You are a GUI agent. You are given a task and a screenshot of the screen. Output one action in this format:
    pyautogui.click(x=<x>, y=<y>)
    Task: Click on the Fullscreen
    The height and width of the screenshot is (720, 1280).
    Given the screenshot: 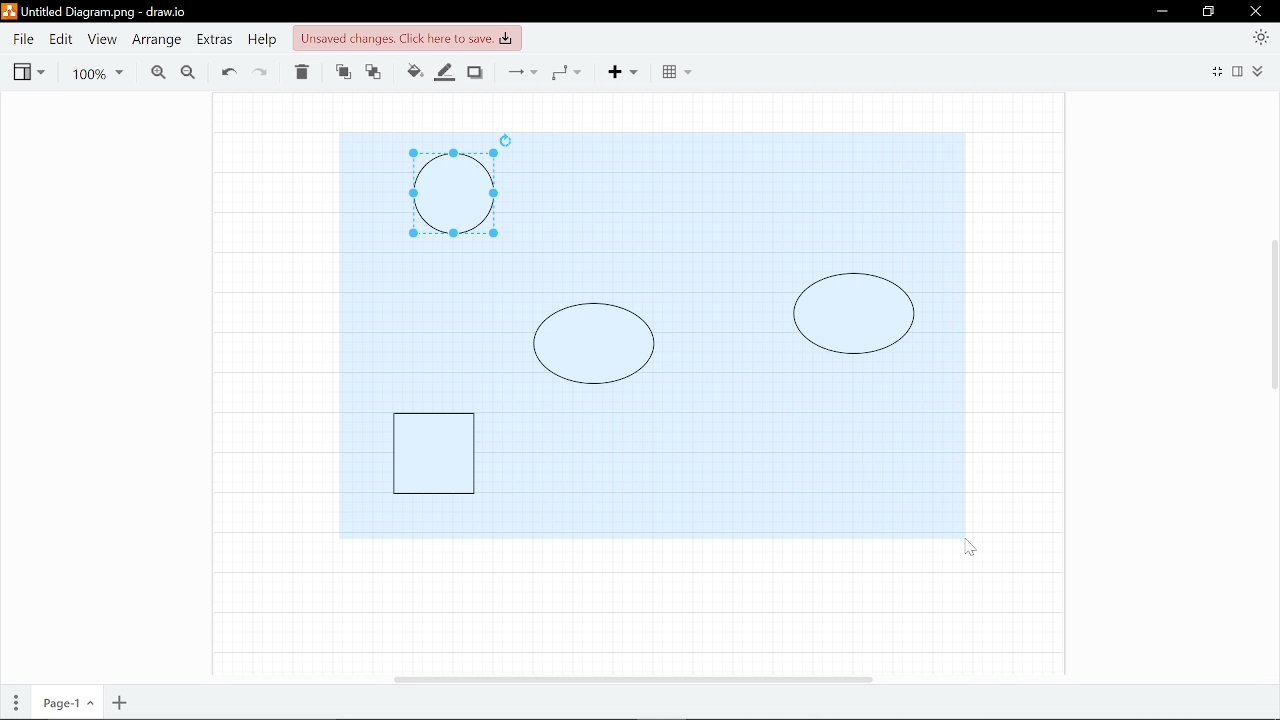 What is the action you would take?
    pyautogui.click(x=1215, y=73)
    